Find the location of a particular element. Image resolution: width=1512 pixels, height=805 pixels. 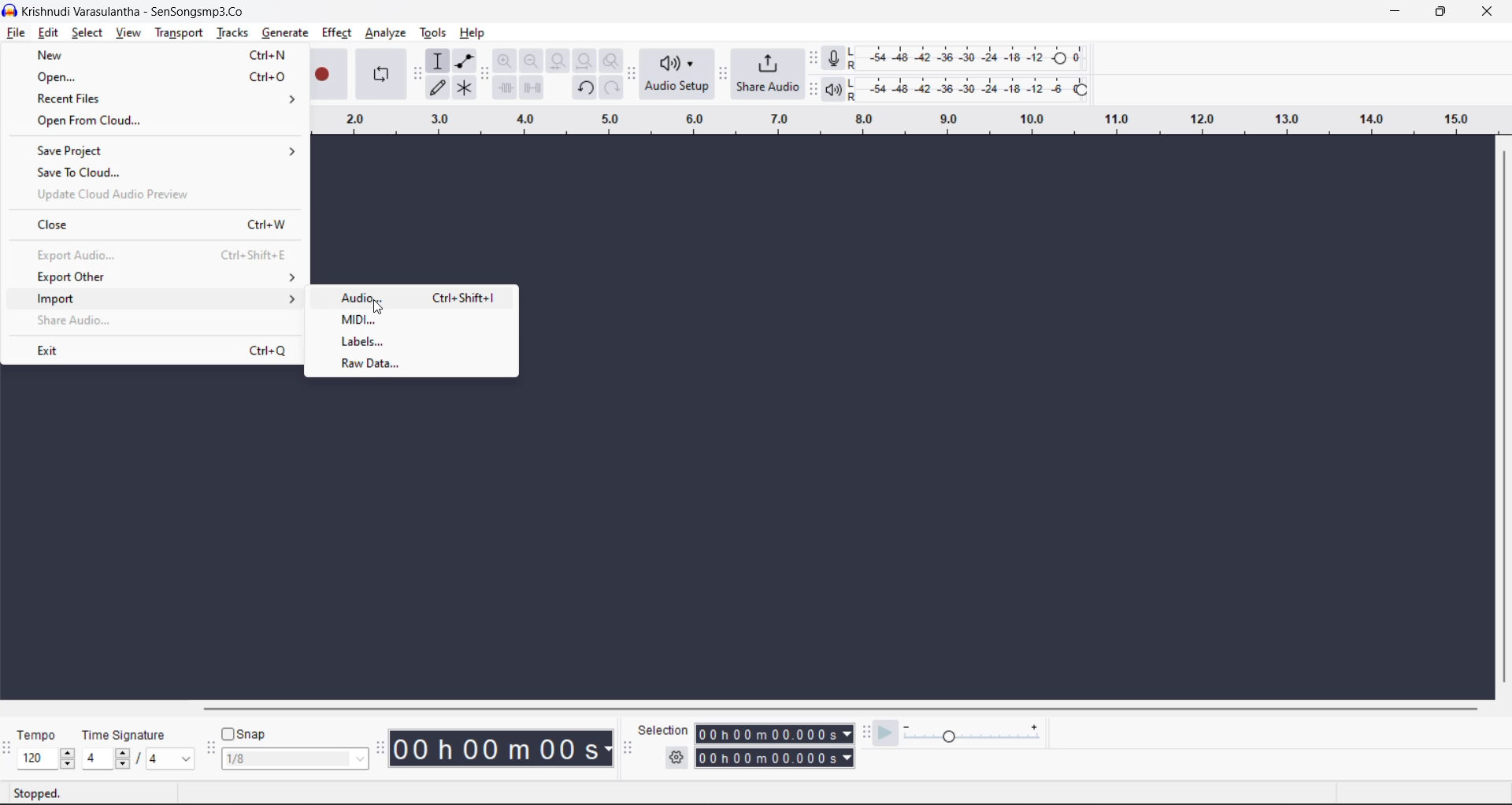

import is located at coordinates (167, 299).